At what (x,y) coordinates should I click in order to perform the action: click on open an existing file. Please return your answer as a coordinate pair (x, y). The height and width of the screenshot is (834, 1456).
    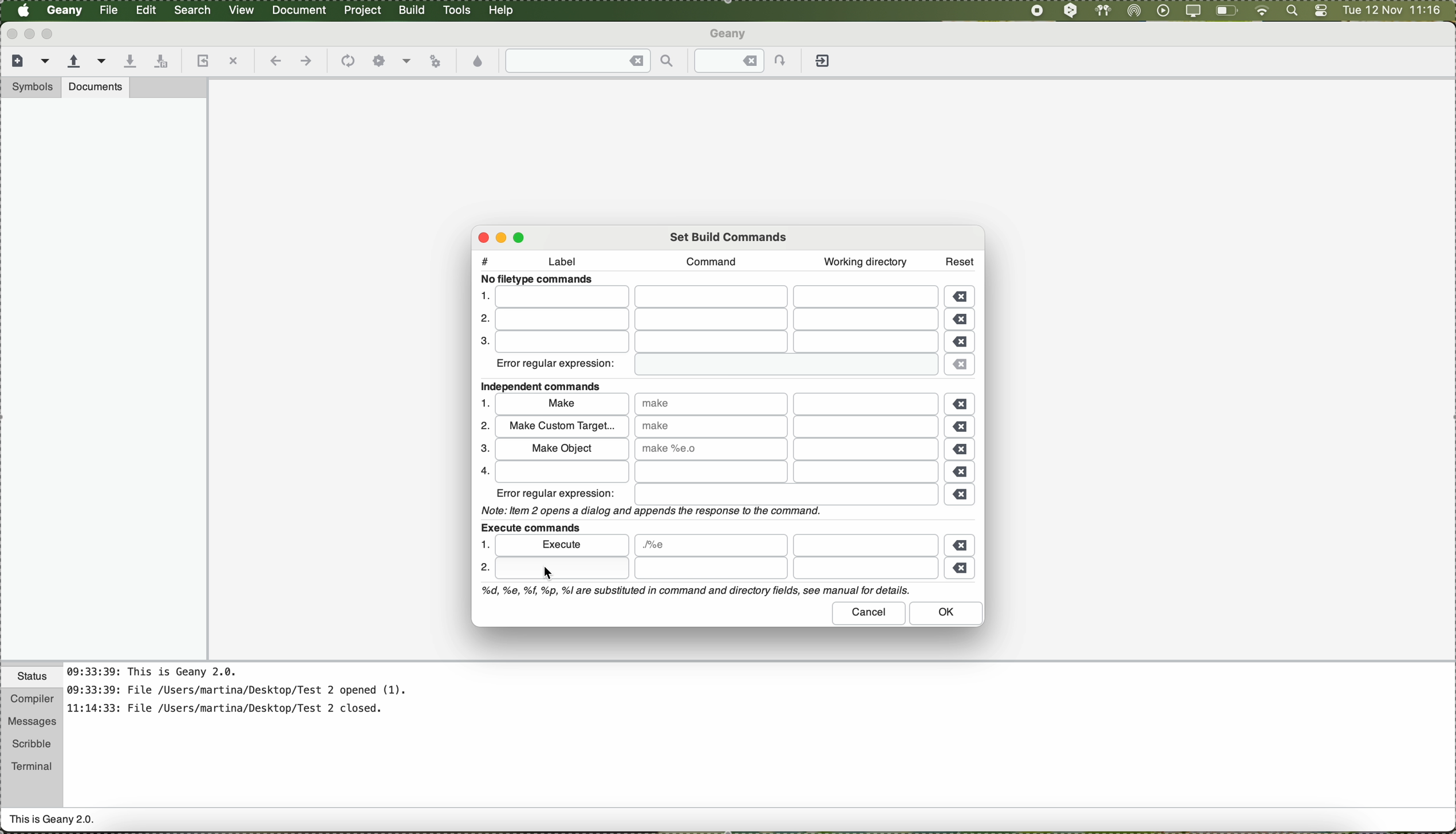
    Looking at the image, I should click on (74, 62).